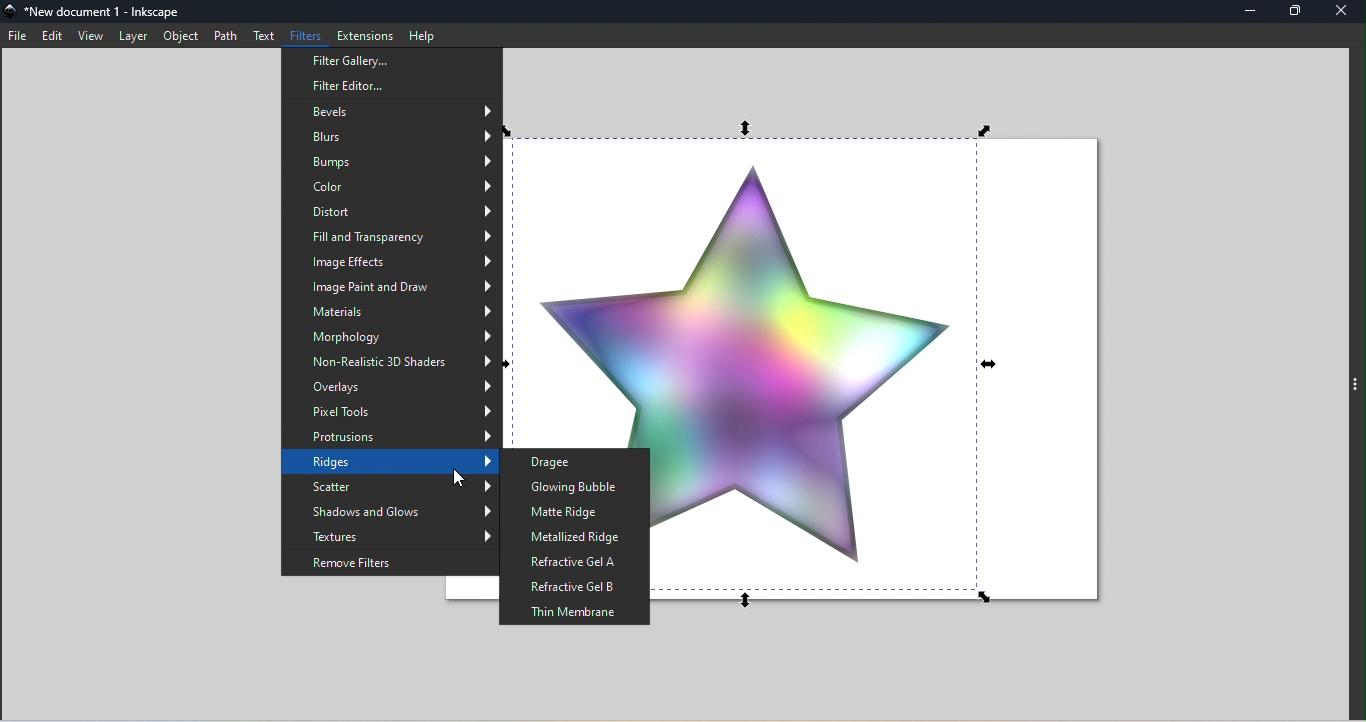 The image size is (1366, 722). Describe the element at coordinates (392, 413) in the screenshot. I see `Pixel tools` at that location.